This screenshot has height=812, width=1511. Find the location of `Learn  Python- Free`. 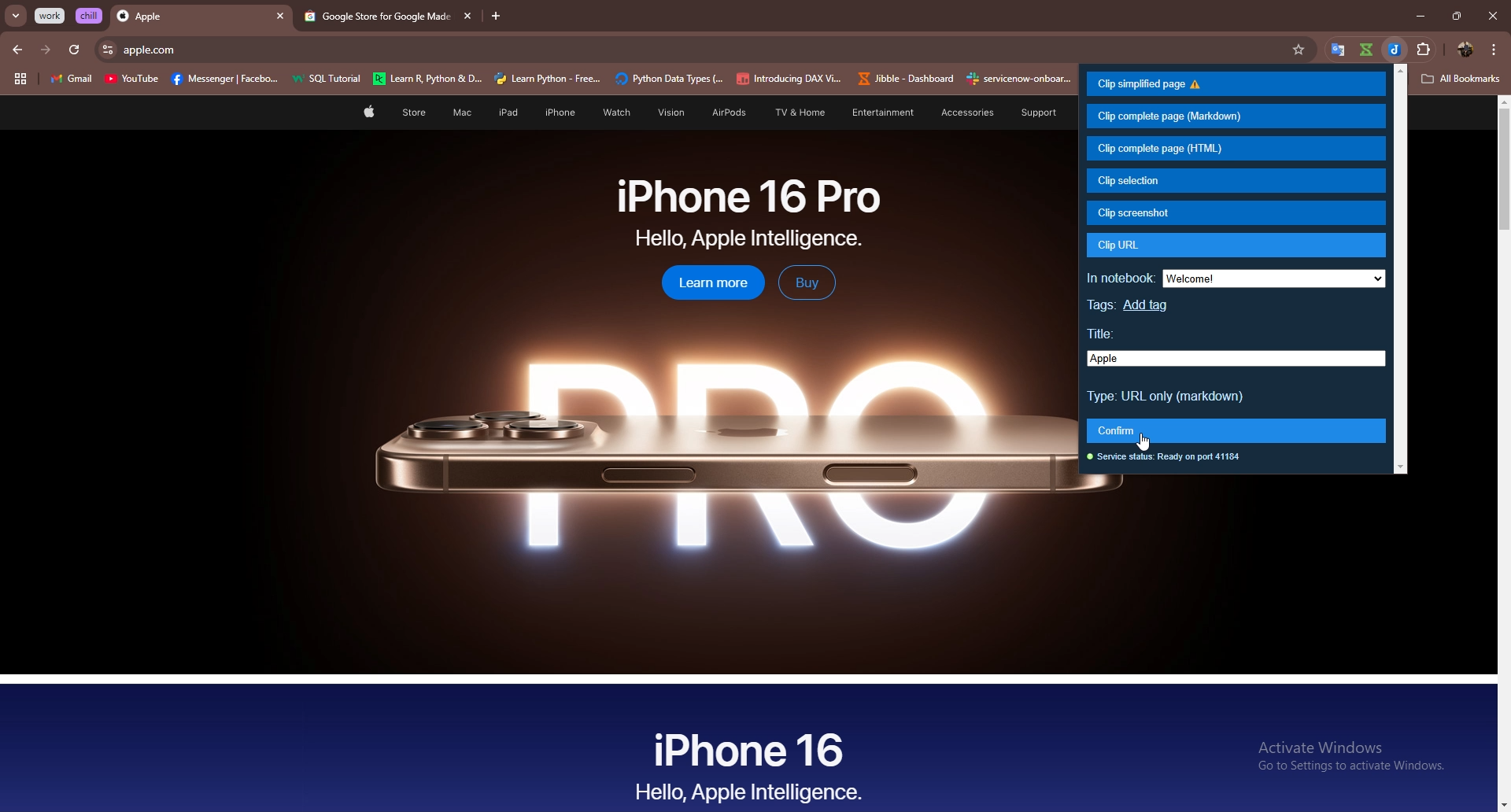

Learn  Python- Free is located at coordinates (549, 79).